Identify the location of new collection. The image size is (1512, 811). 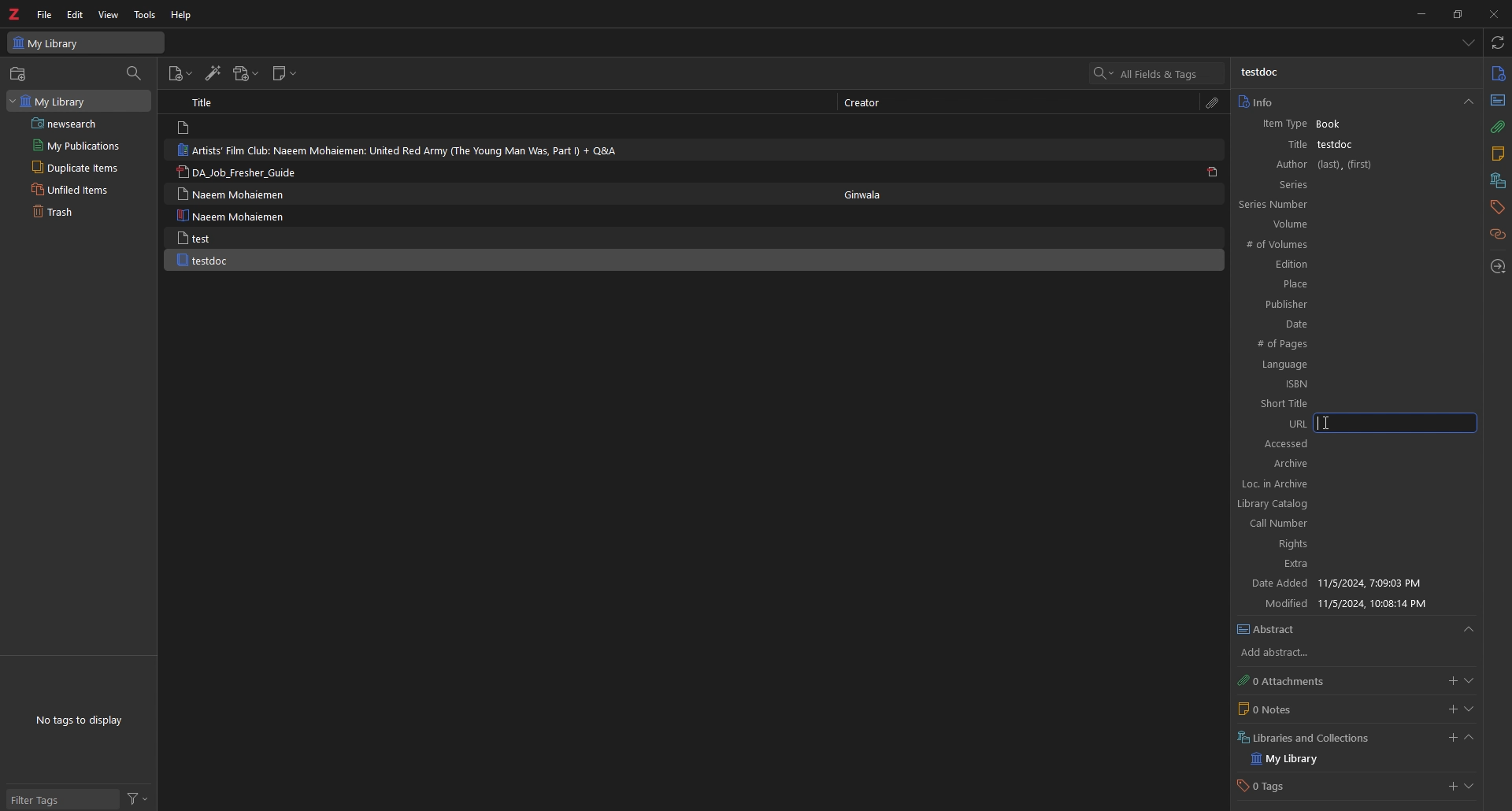
(20, 74).